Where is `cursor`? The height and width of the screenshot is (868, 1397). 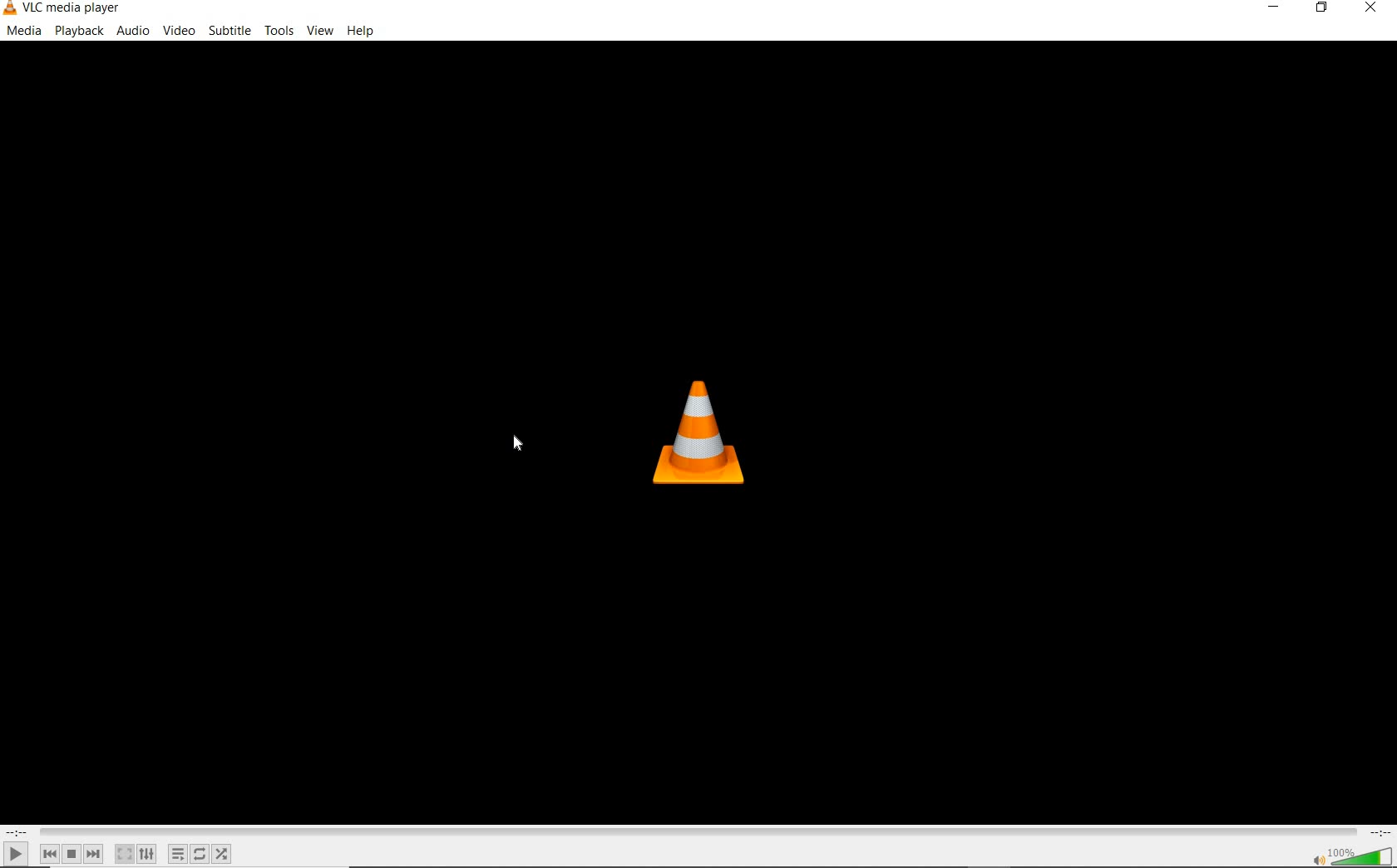
cursor is located at coordinates (518, 442).